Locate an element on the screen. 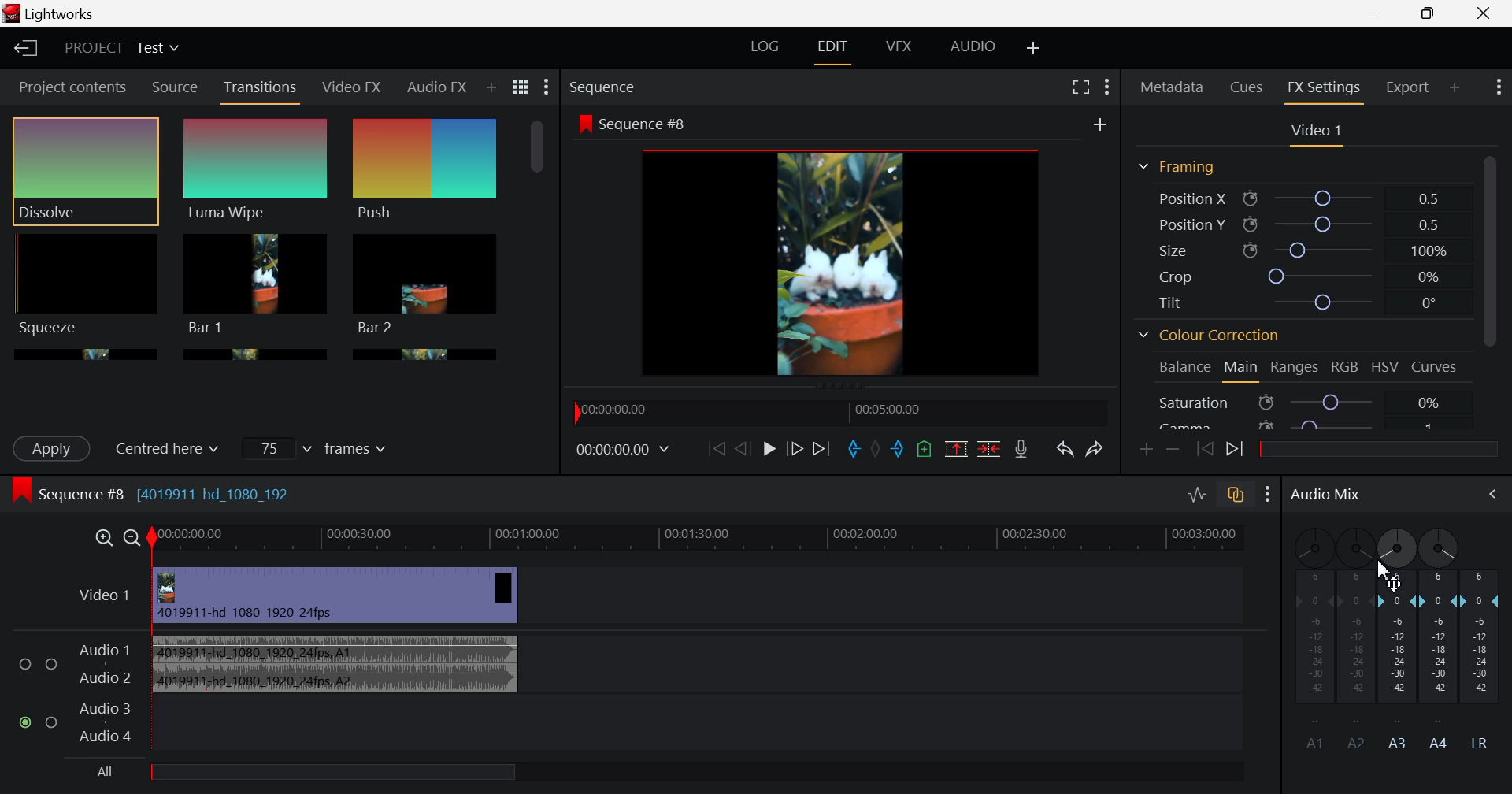  Mark Out is located at coordinates (898, 449).